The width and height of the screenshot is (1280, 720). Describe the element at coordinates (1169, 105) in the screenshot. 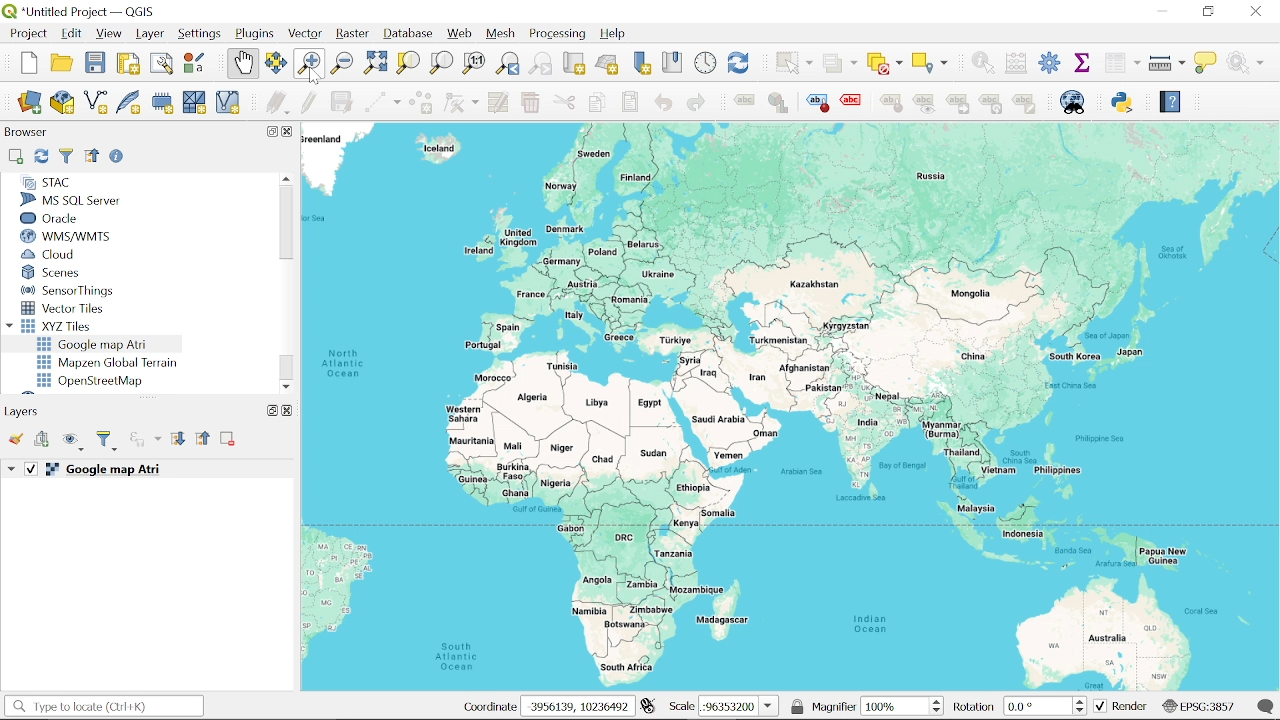

I see `Help` at that location.